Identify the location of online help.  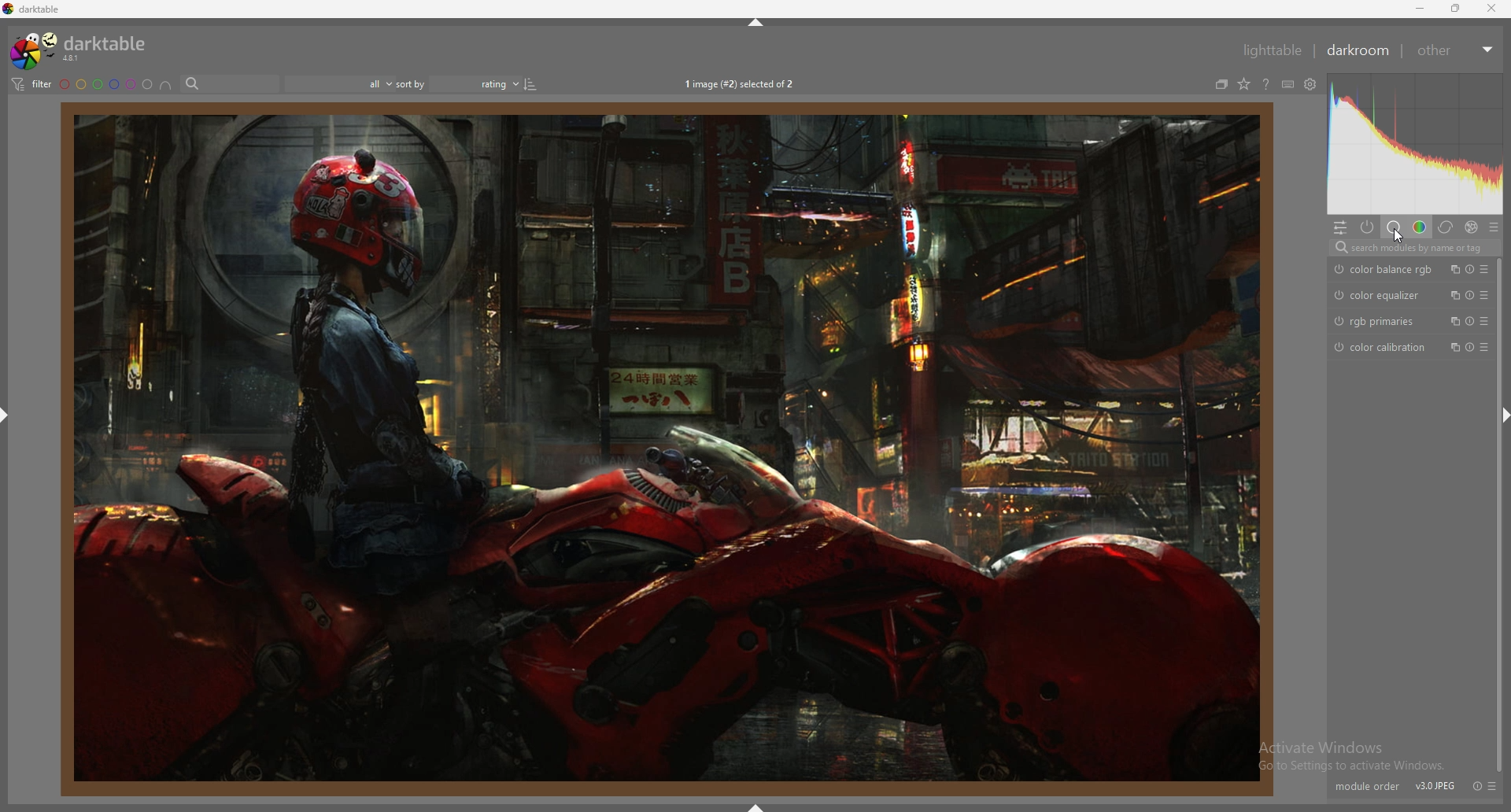
(1266, 84).